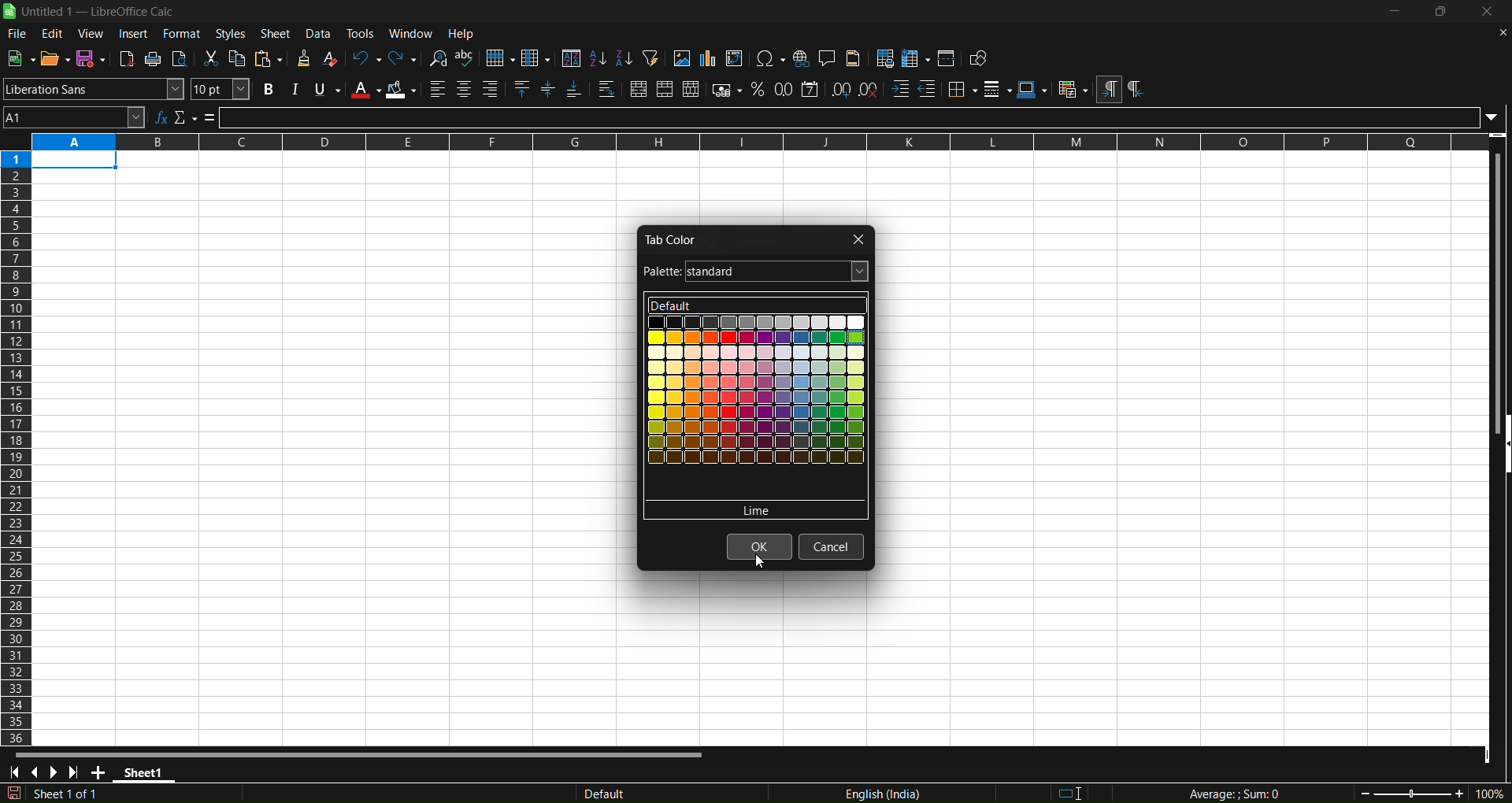  Describe the element at coordinates (128, 58) in the screenshot. I see `export directly as pdf` at that location.